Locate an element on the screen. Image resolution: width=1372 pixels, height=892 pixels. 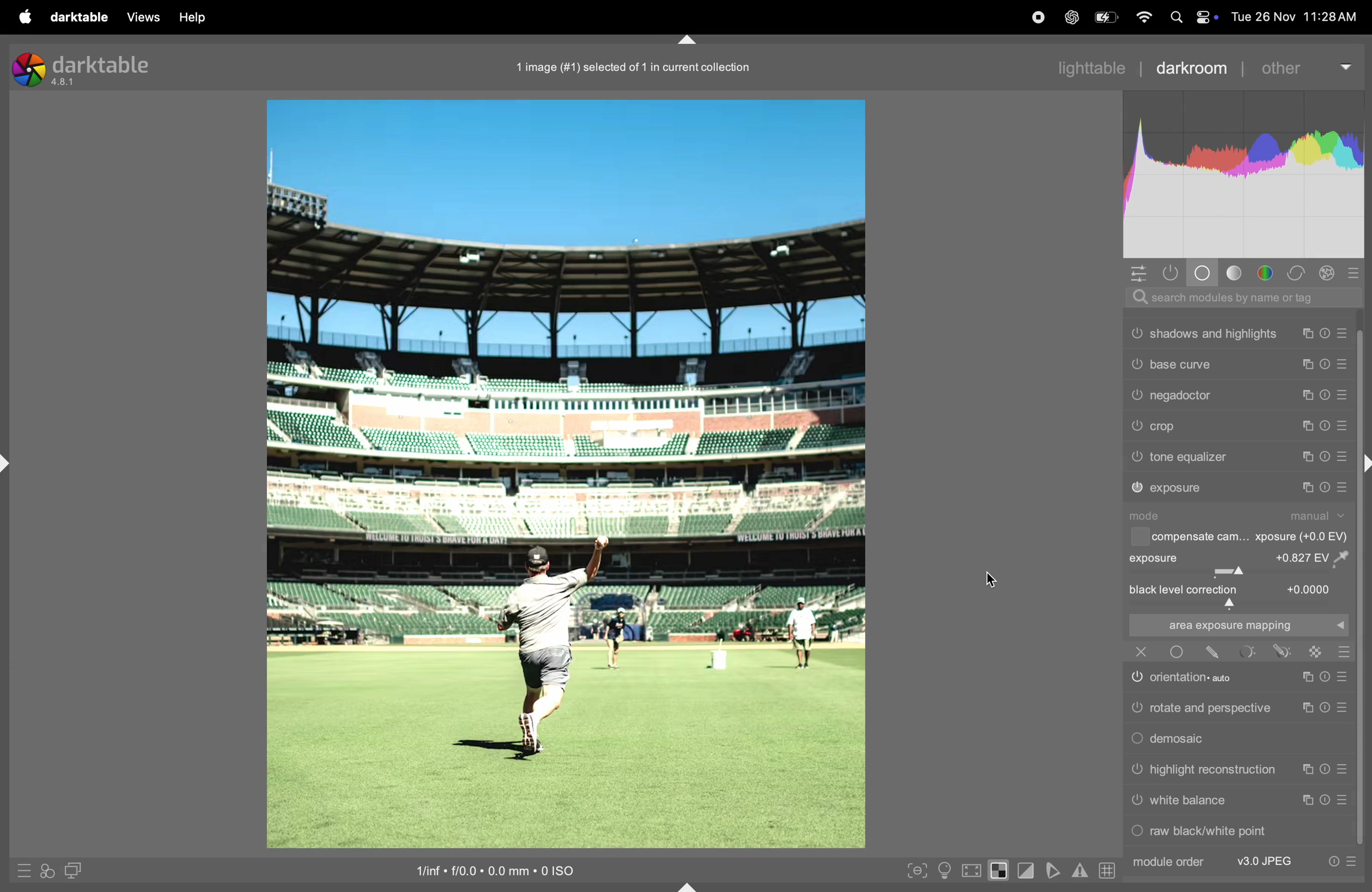
grid is located at coordinates (1105, 870).